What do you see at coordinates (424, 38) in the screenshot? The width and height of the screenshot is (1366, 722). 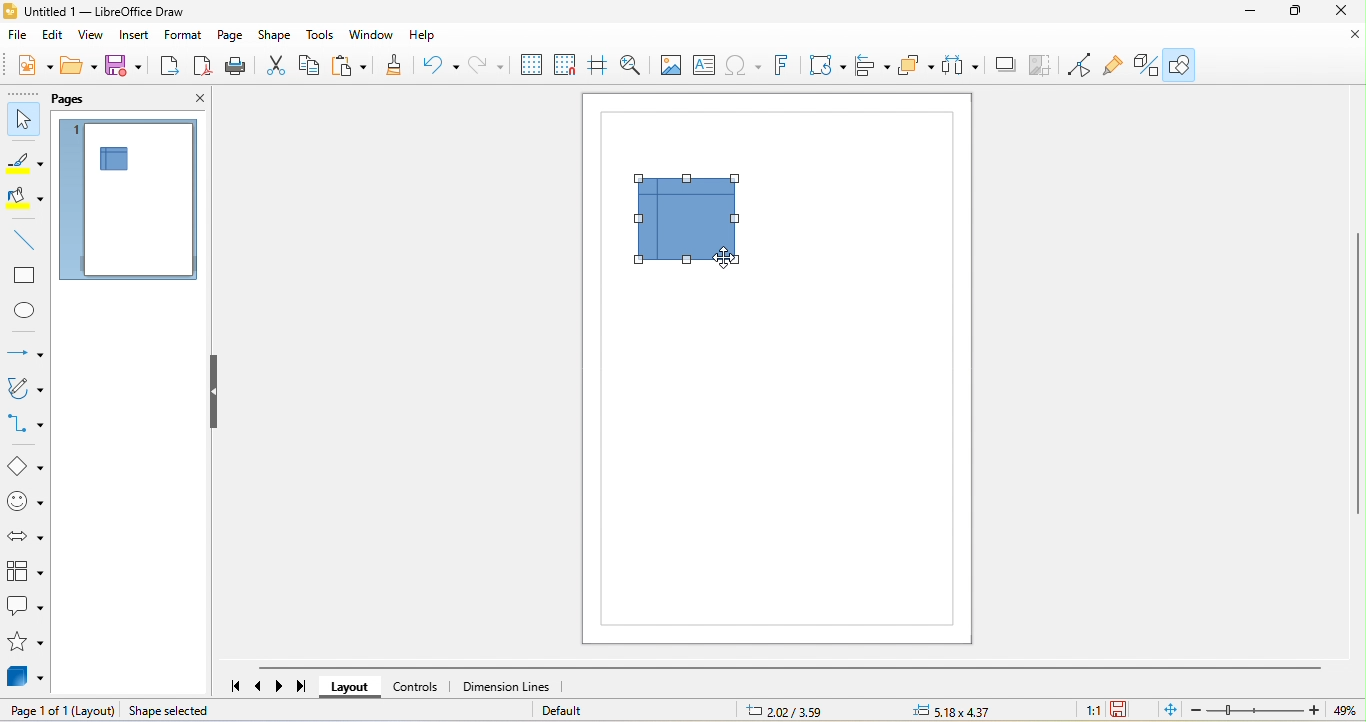 I see `help` at bounding box center [424, 38].